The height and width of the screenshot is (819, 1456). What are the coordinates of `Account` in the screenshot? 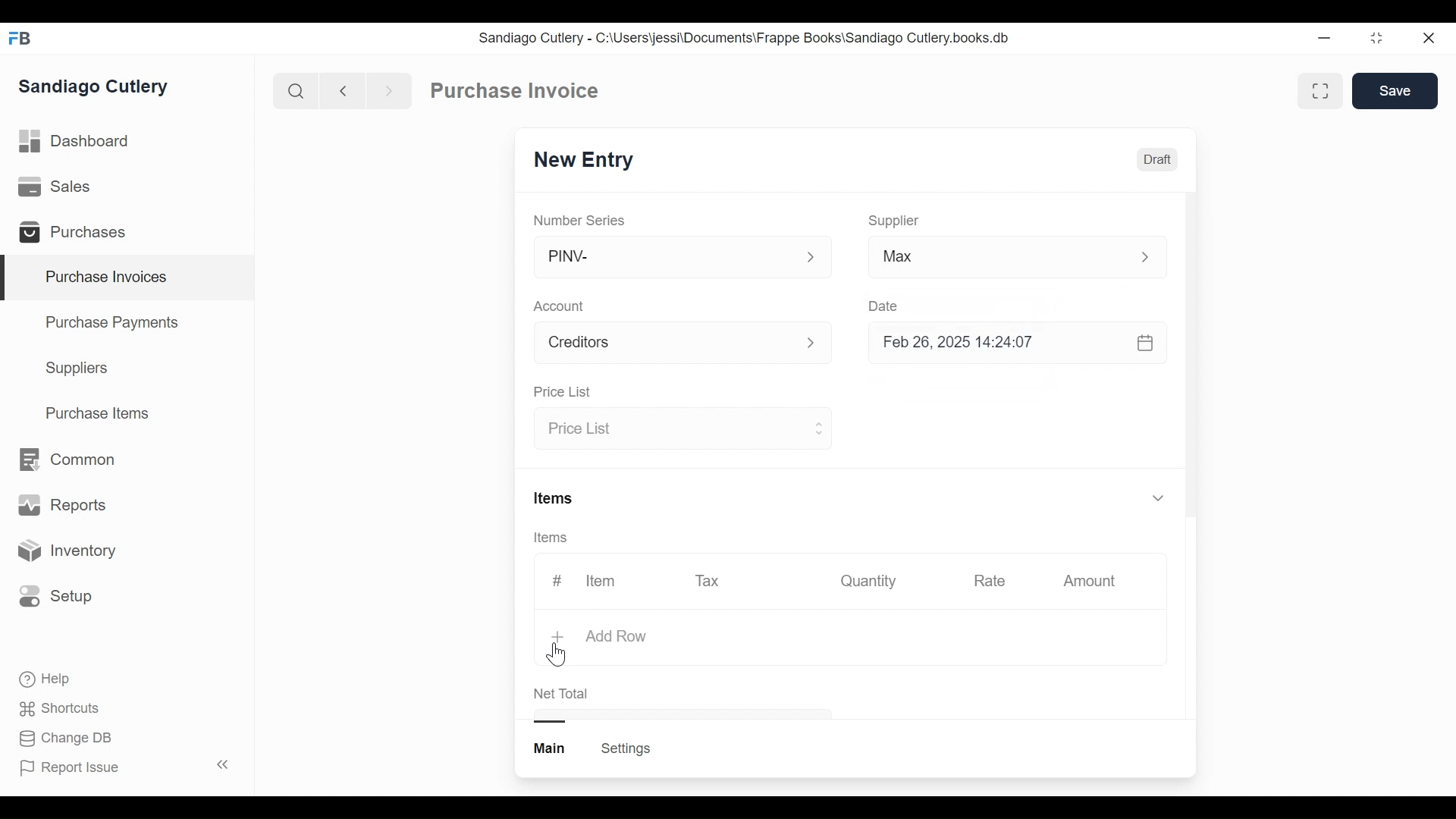 It's located at (562, 308).